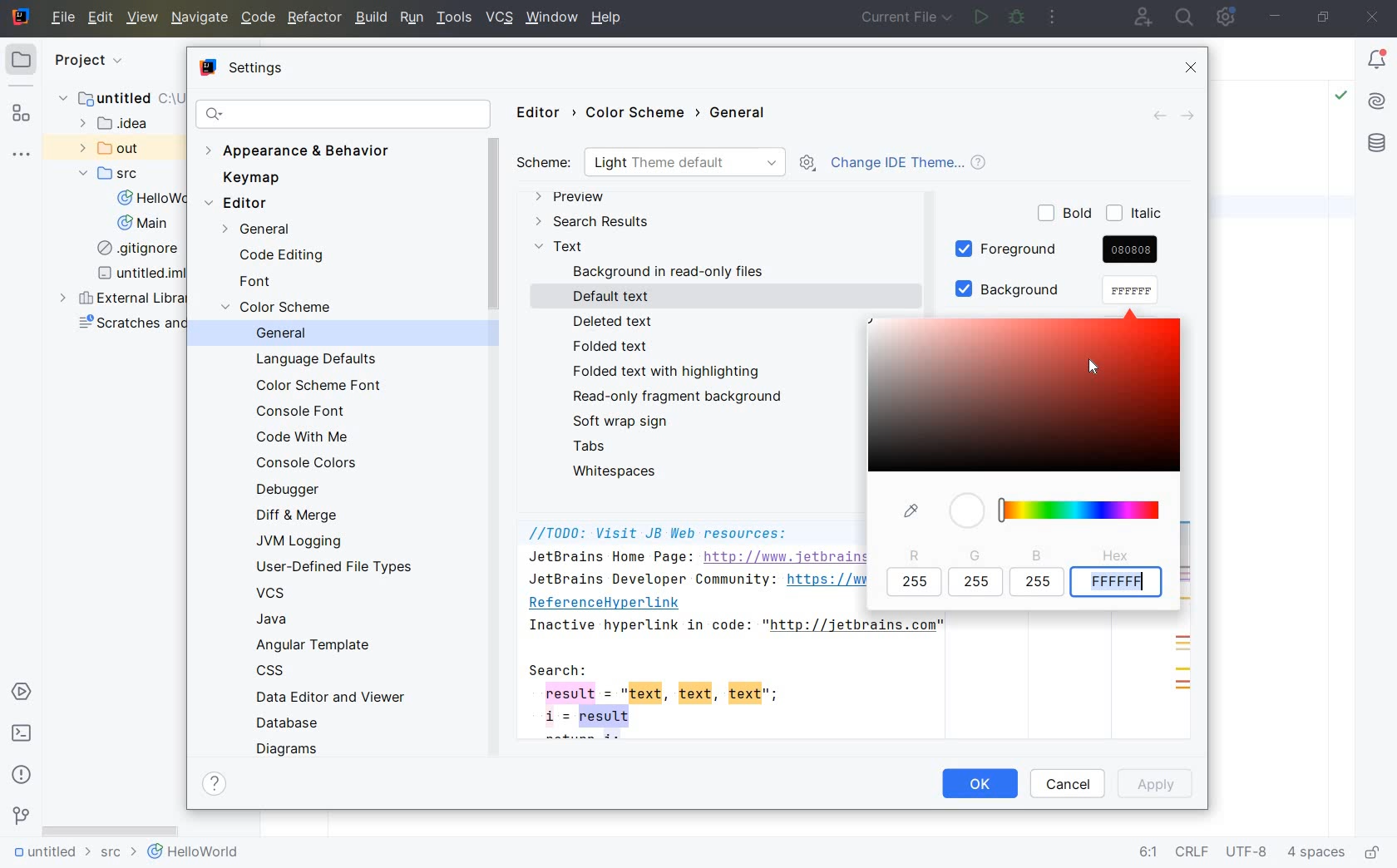 This screenshot has height=868, width=1397. Describe the element at coordinates (135, 249) in the screenshot. I see `gitignore` at that location.